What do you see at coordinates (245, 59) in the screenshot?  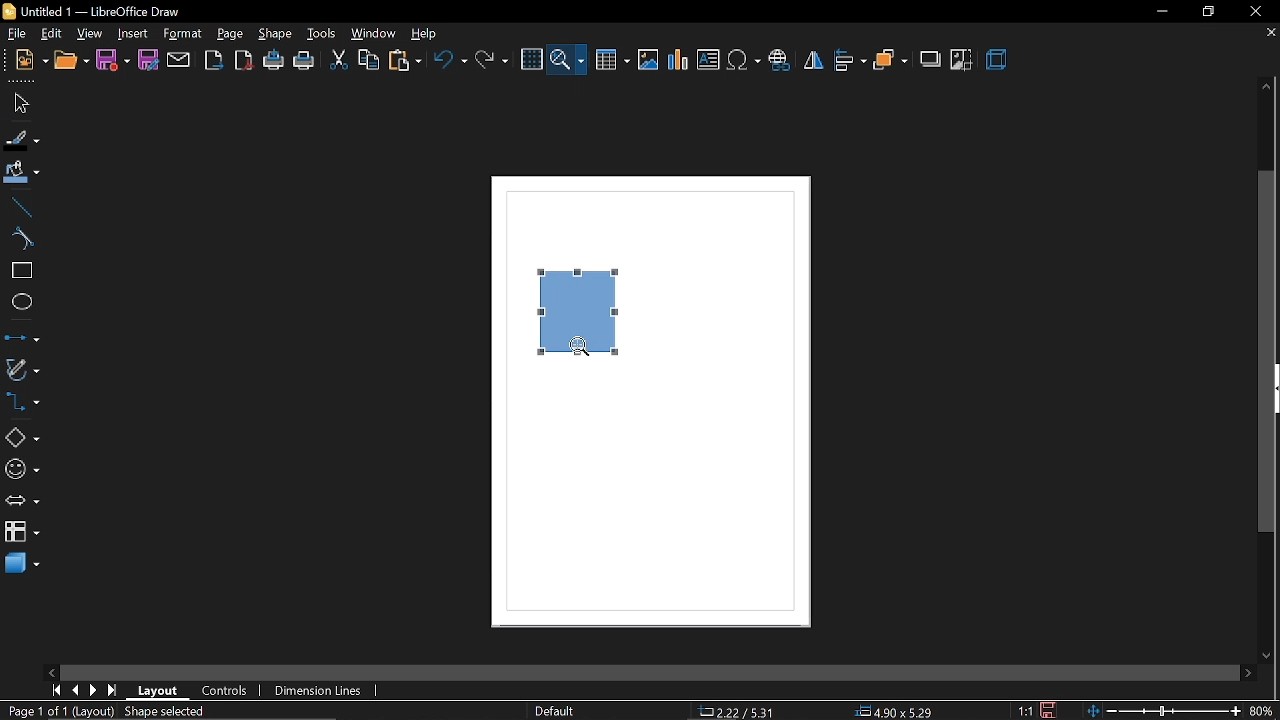 I see `export pdf` at bounding box center [245, 59].